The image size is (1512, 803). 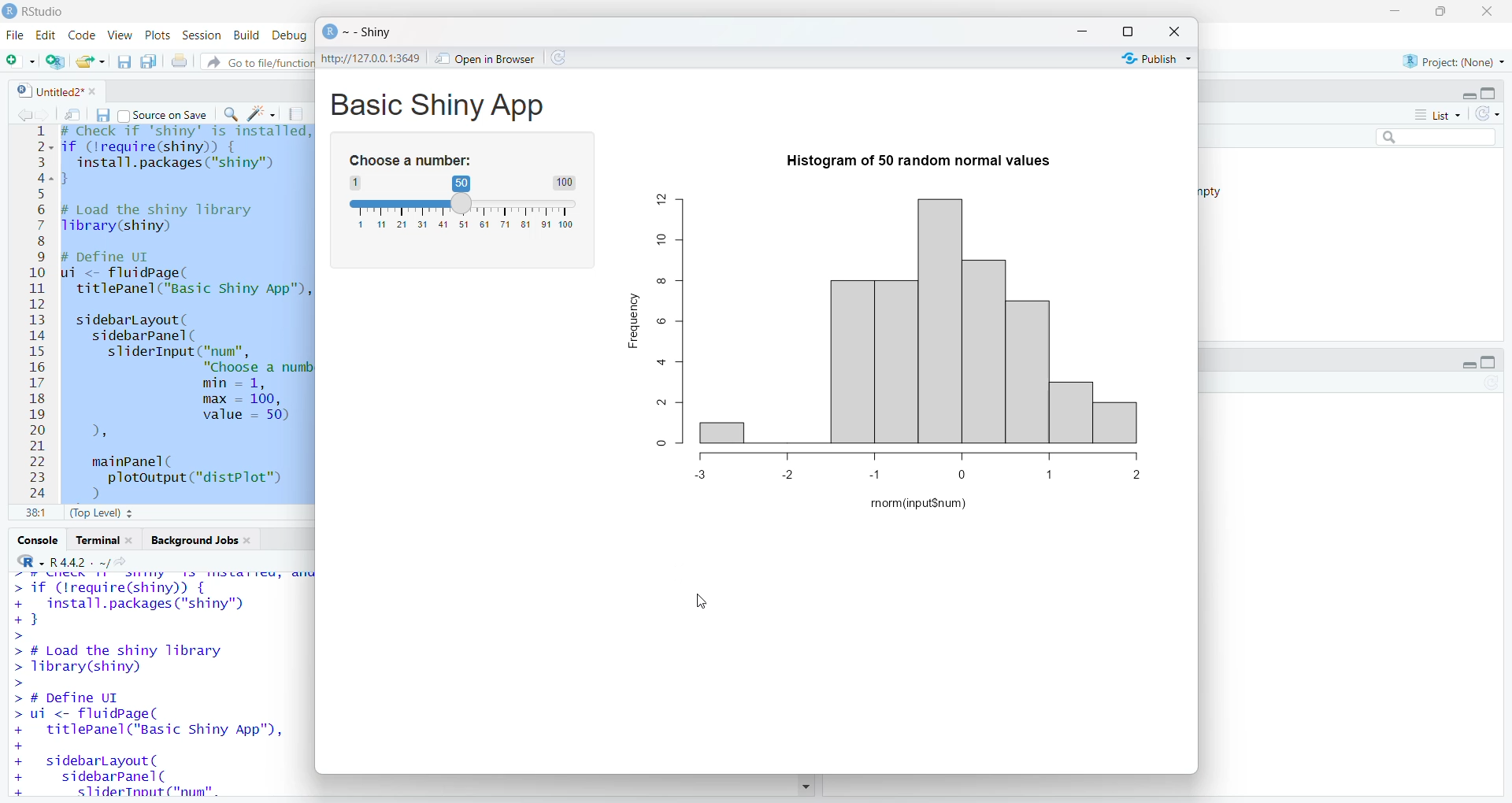 What do you see at coordinates (180, 478) in the screenshot?
I see `mainPanel(]
plotoutput ("distPlot")
)
)
)` at bounding box center [180, 478].